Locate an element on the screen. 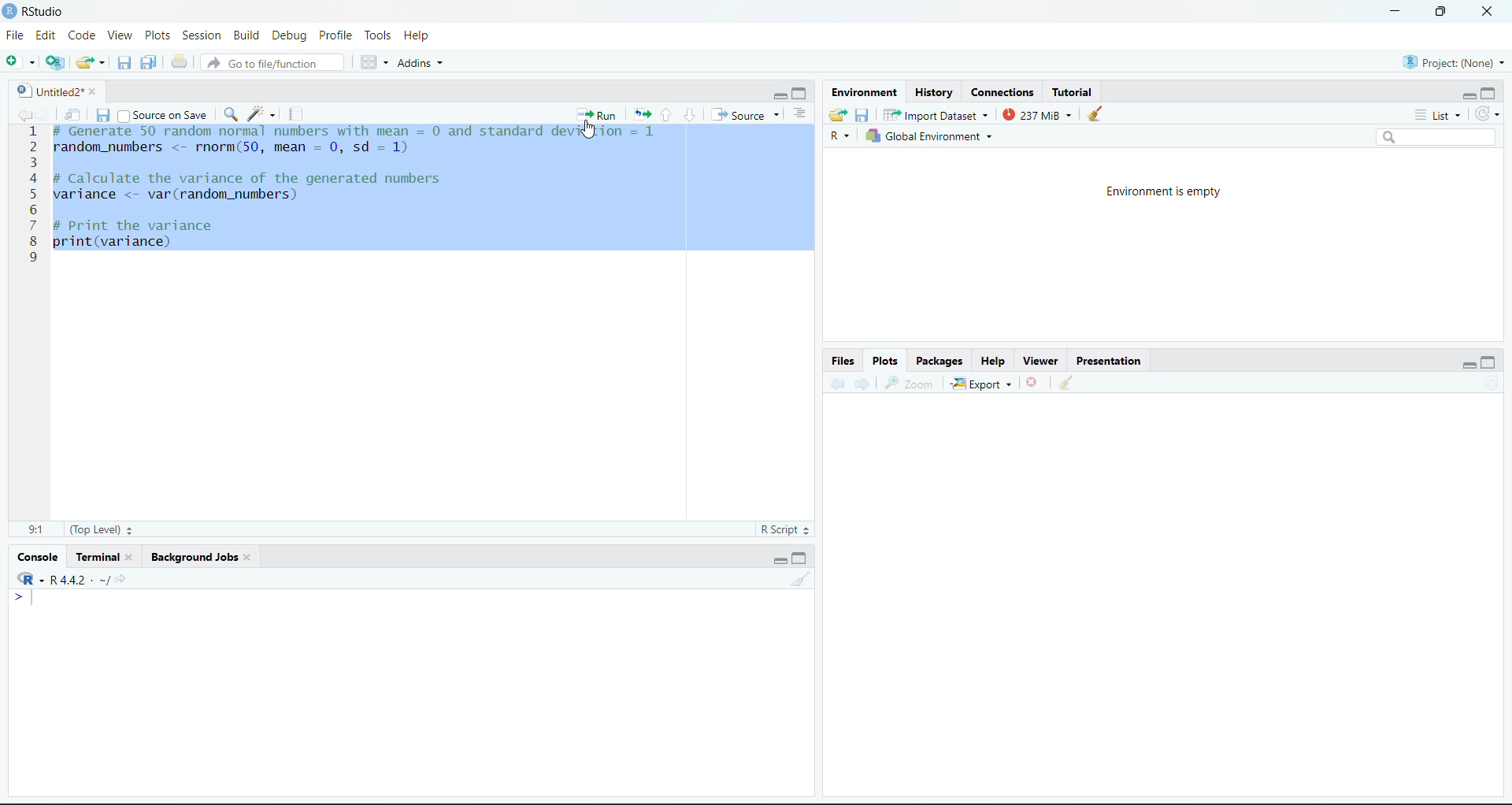  # Calculate the variance of the generated numbers
variance <- var(random_numbers) is located at coordinates (253, 188).